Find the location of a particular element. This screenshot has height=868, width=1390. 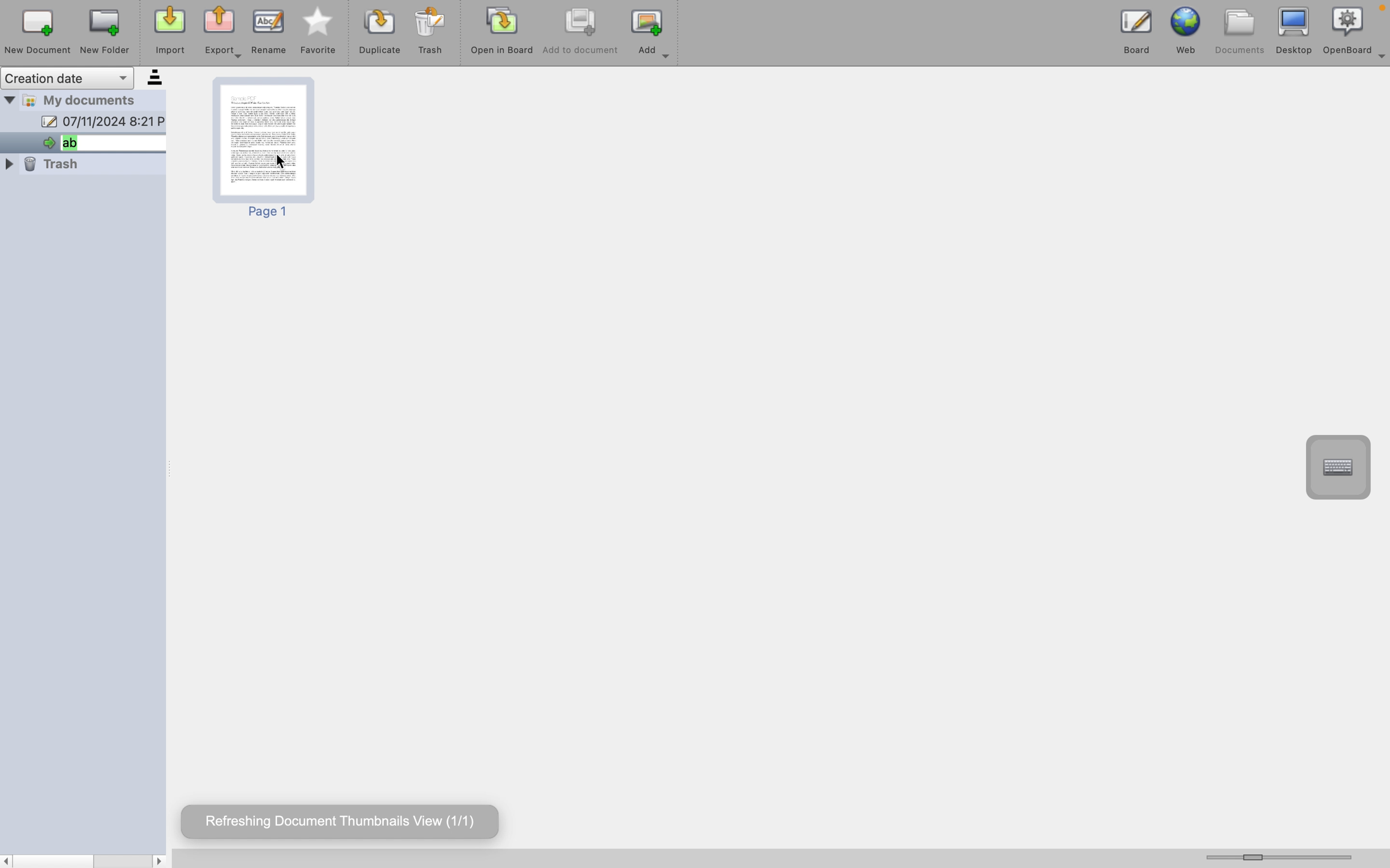

creation date is located at coordinates (84, 77).